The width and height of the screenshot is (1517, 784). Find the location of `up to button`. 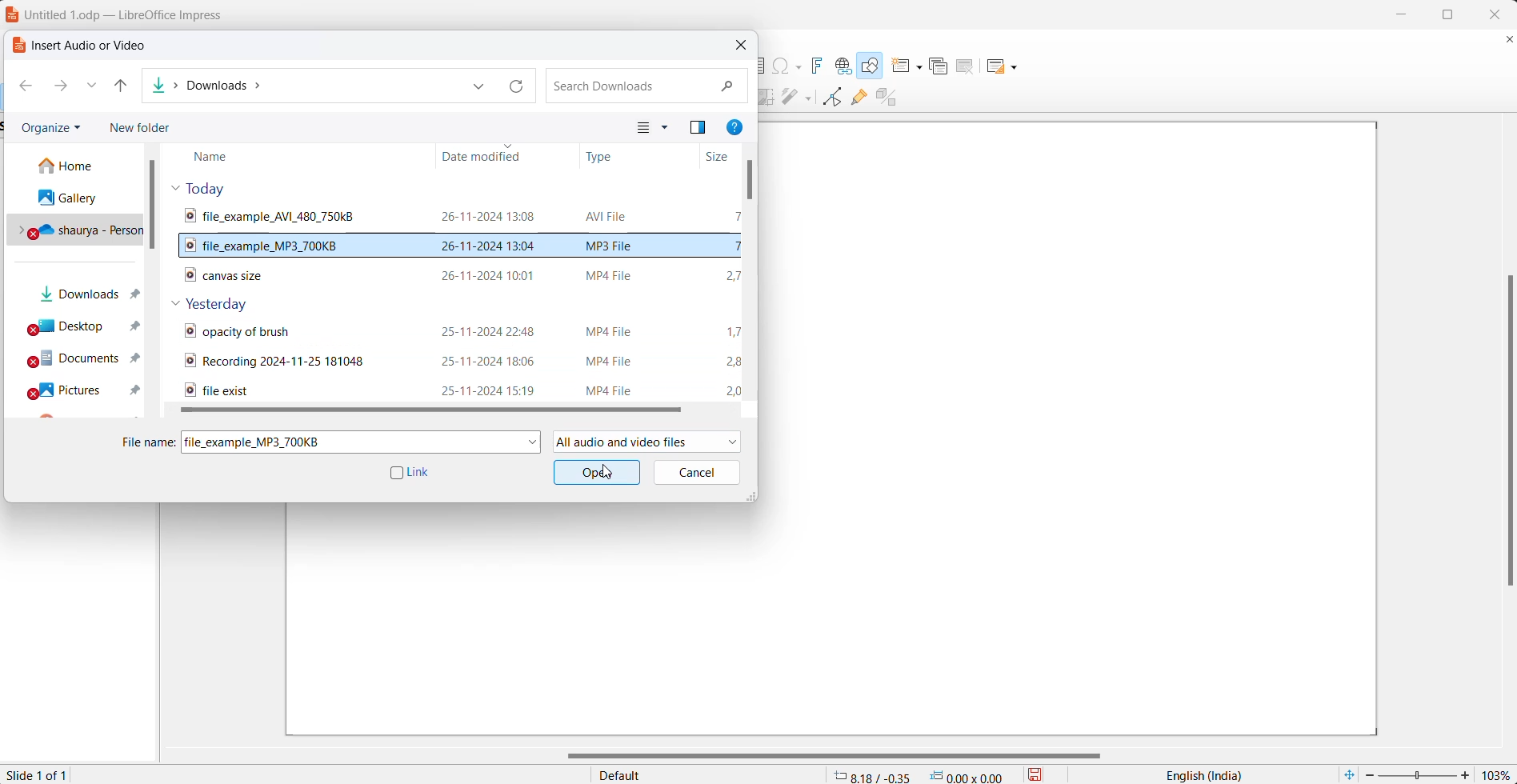

up to button is located at coordinates (123, 90).